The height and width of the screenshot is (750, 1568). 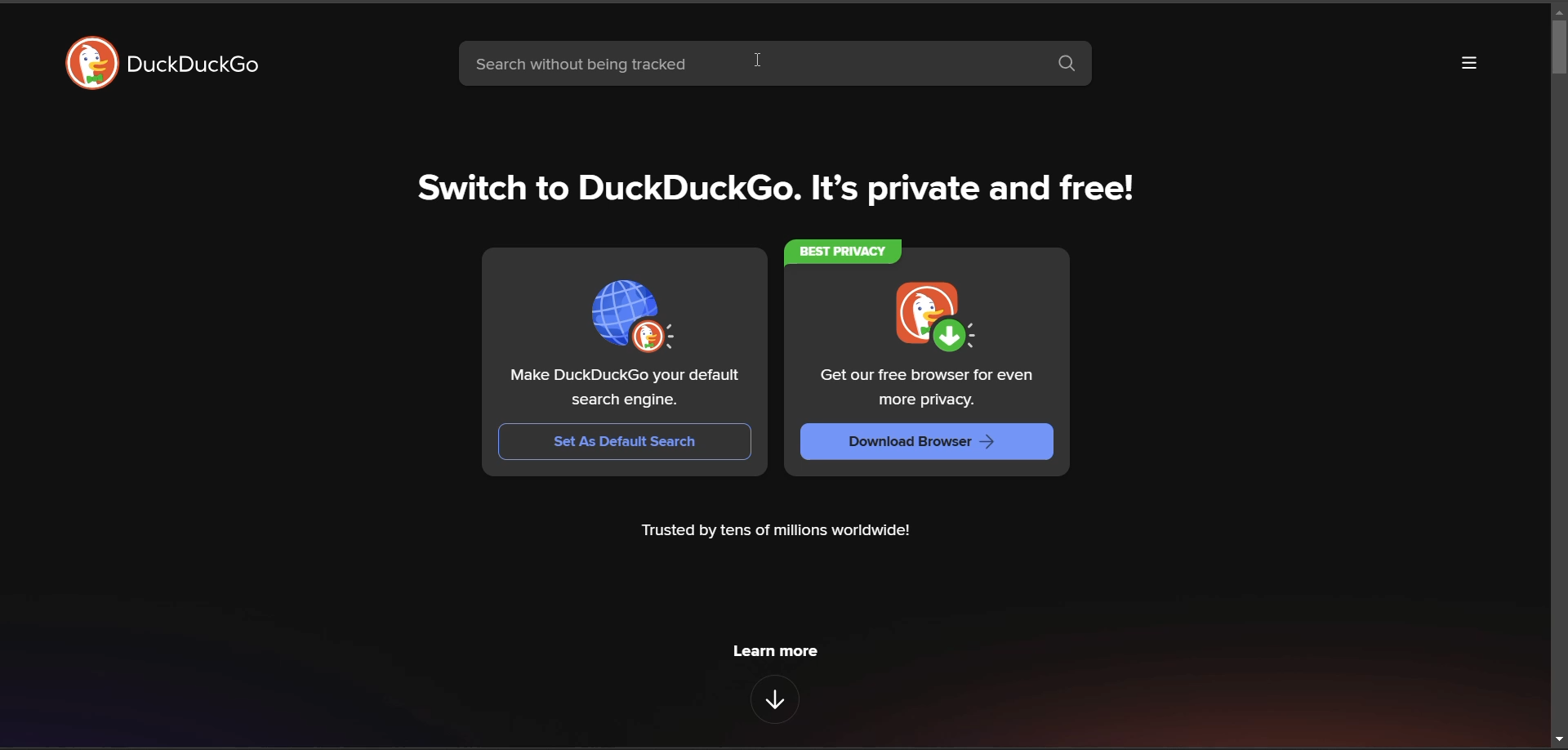 What do you see at coordinates (924, 390) in the screenshot?
I see `Get our free browser for even more privacy.` at bounding box center [924, 390].